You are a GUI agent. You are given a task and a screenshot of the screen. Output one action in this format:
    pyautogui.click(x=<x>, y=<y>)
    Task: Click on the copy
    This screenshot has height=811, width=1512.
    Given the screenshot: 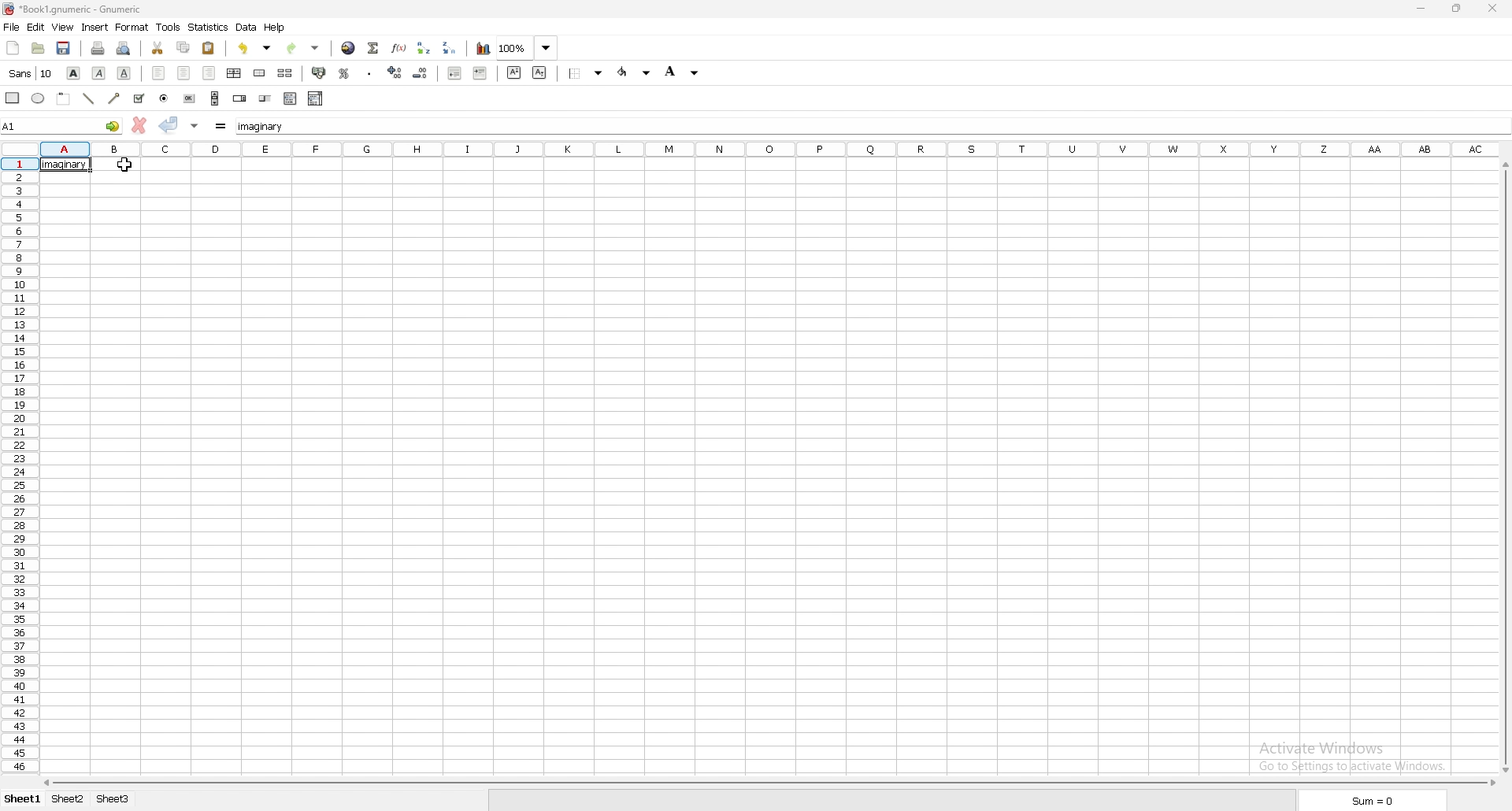 What is the action you would take?
    pyautogui.click(x=183, y=46)
    